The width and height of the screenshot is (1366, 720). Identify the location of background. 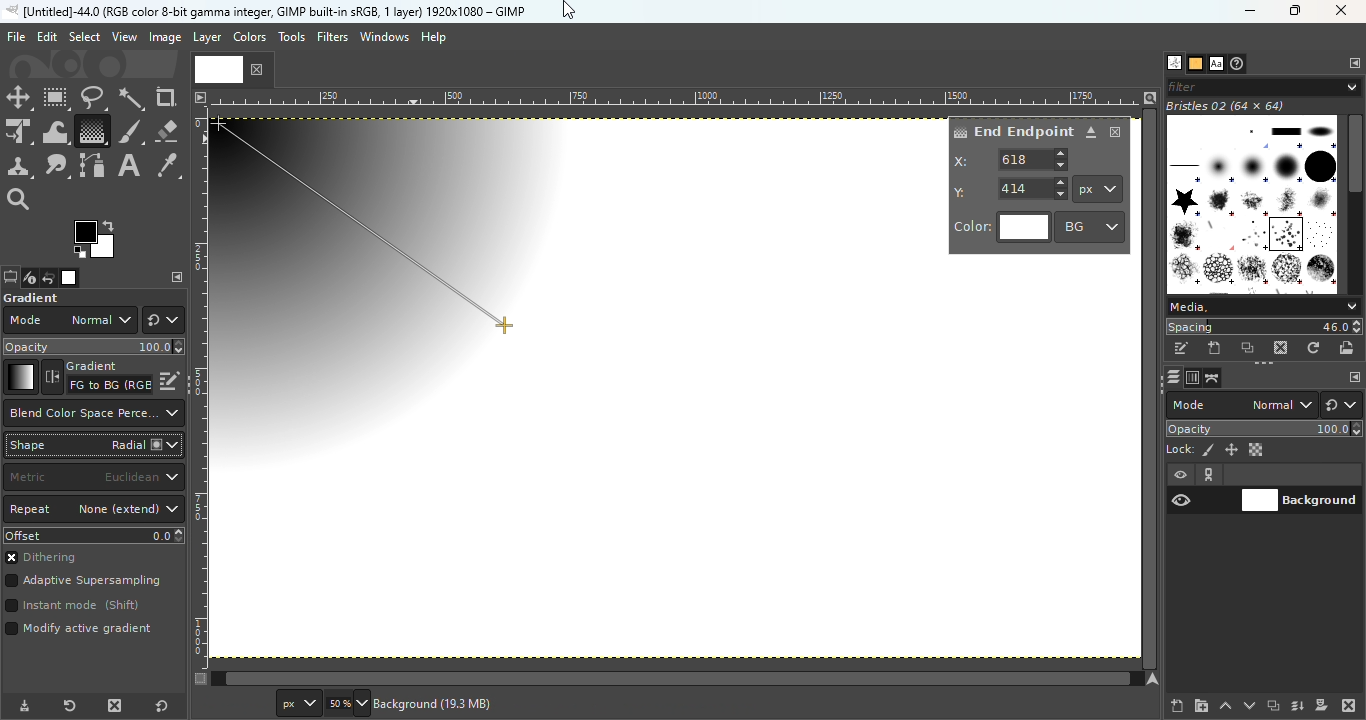
(438, 703).